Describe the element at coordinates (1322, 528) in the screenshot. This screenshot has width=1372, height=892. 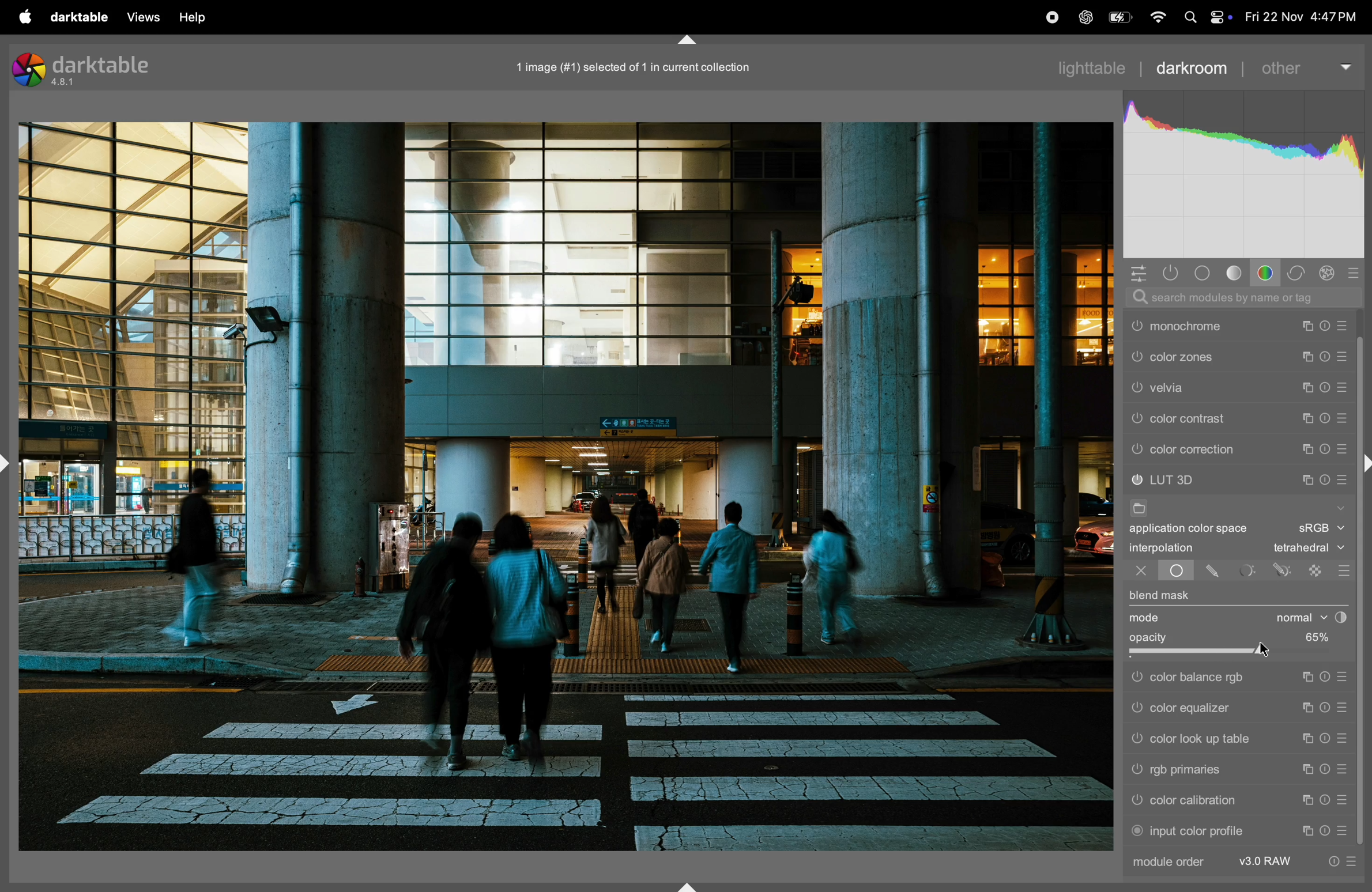
I see `sRgb` at that location.